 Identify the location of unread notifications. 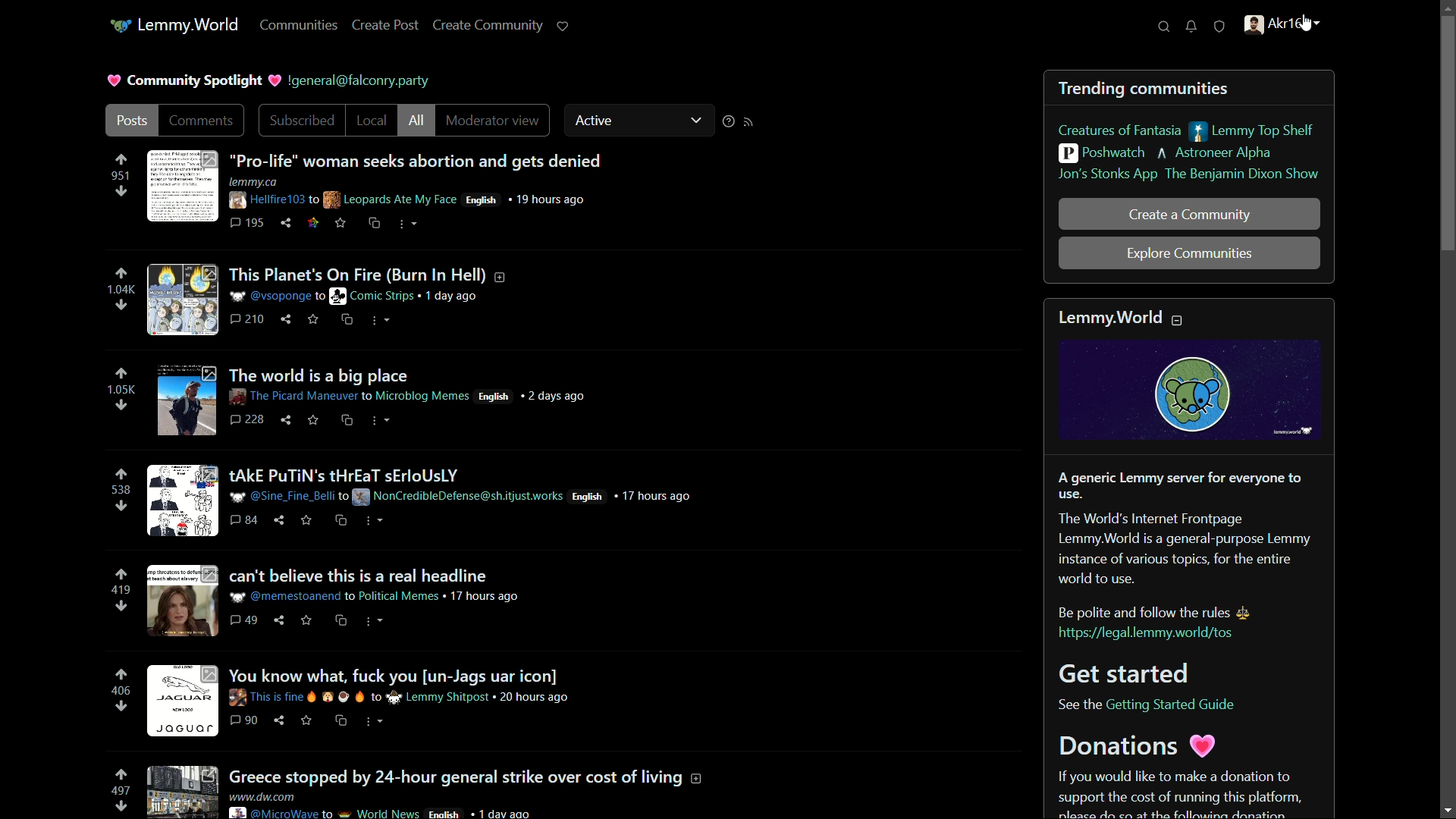
(1191, 27).